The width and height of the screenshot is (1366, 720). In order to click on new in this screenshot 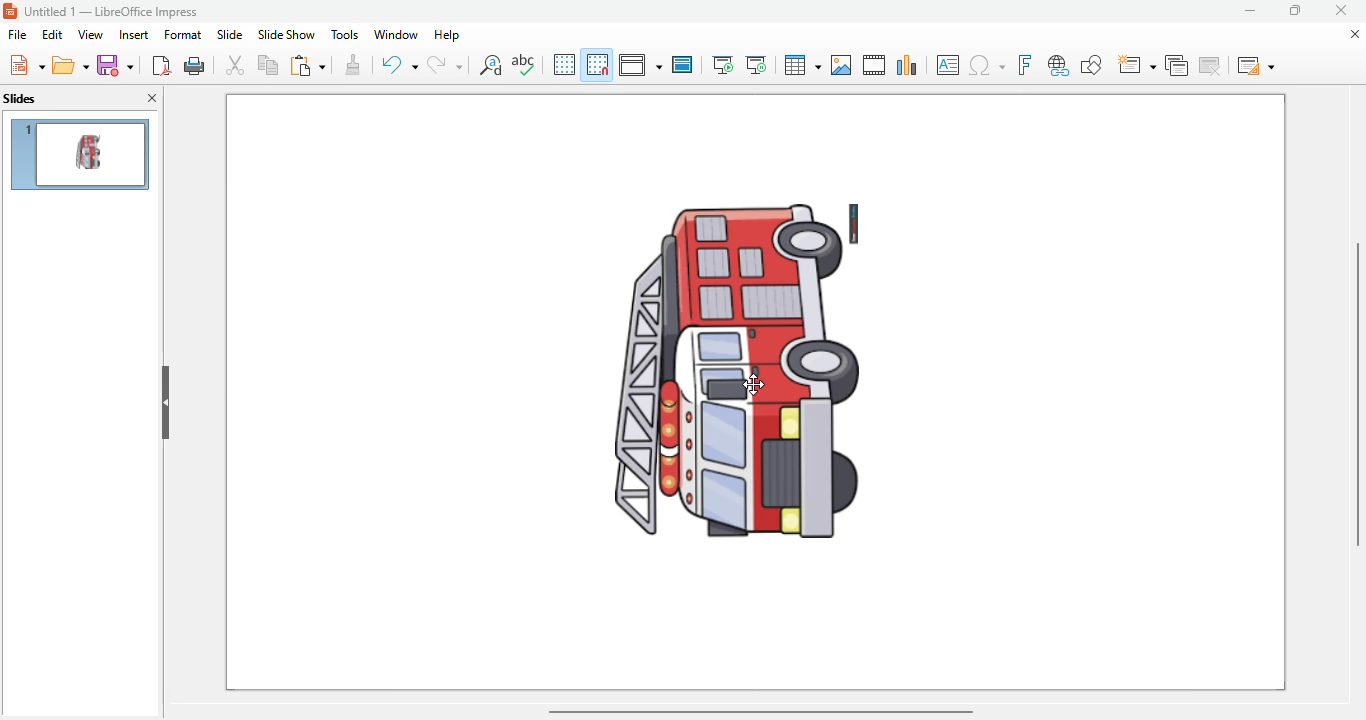, I will do `click(26, 64)`.